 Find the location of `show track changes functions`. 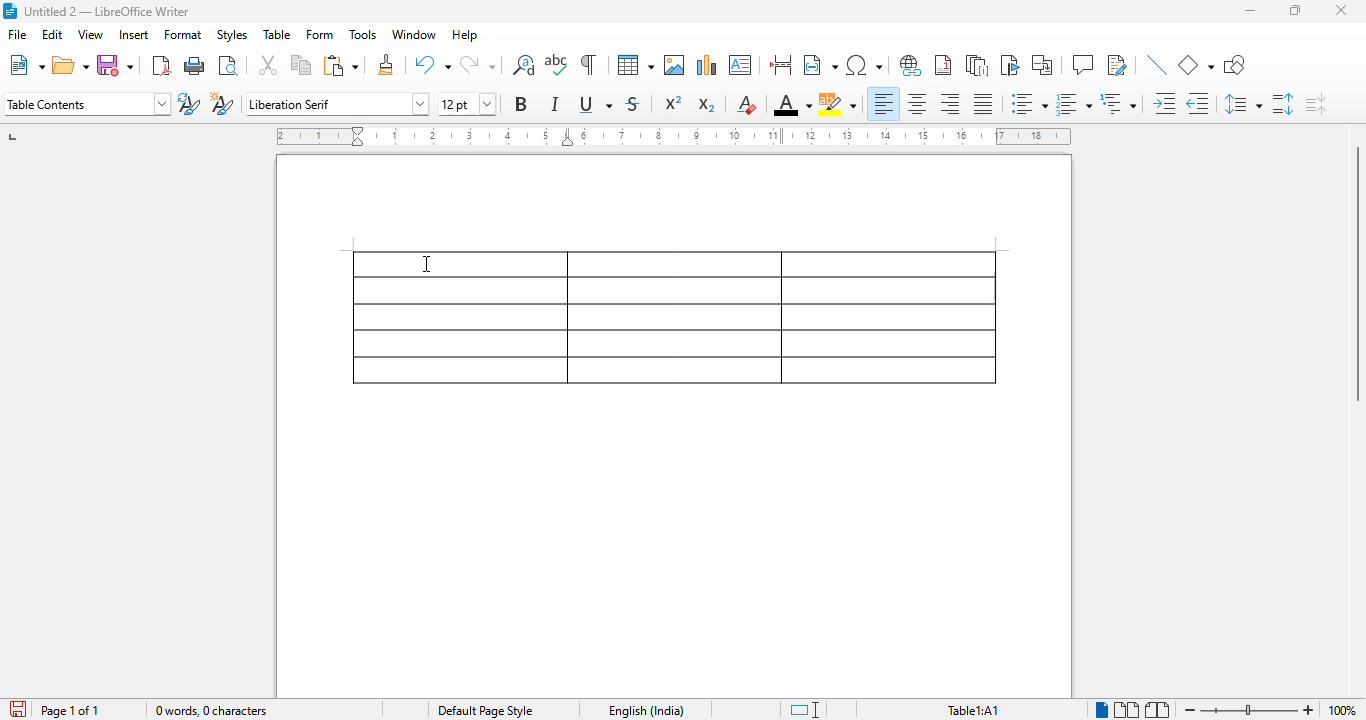

show track changes functions is located at coordinates (1118, 64).